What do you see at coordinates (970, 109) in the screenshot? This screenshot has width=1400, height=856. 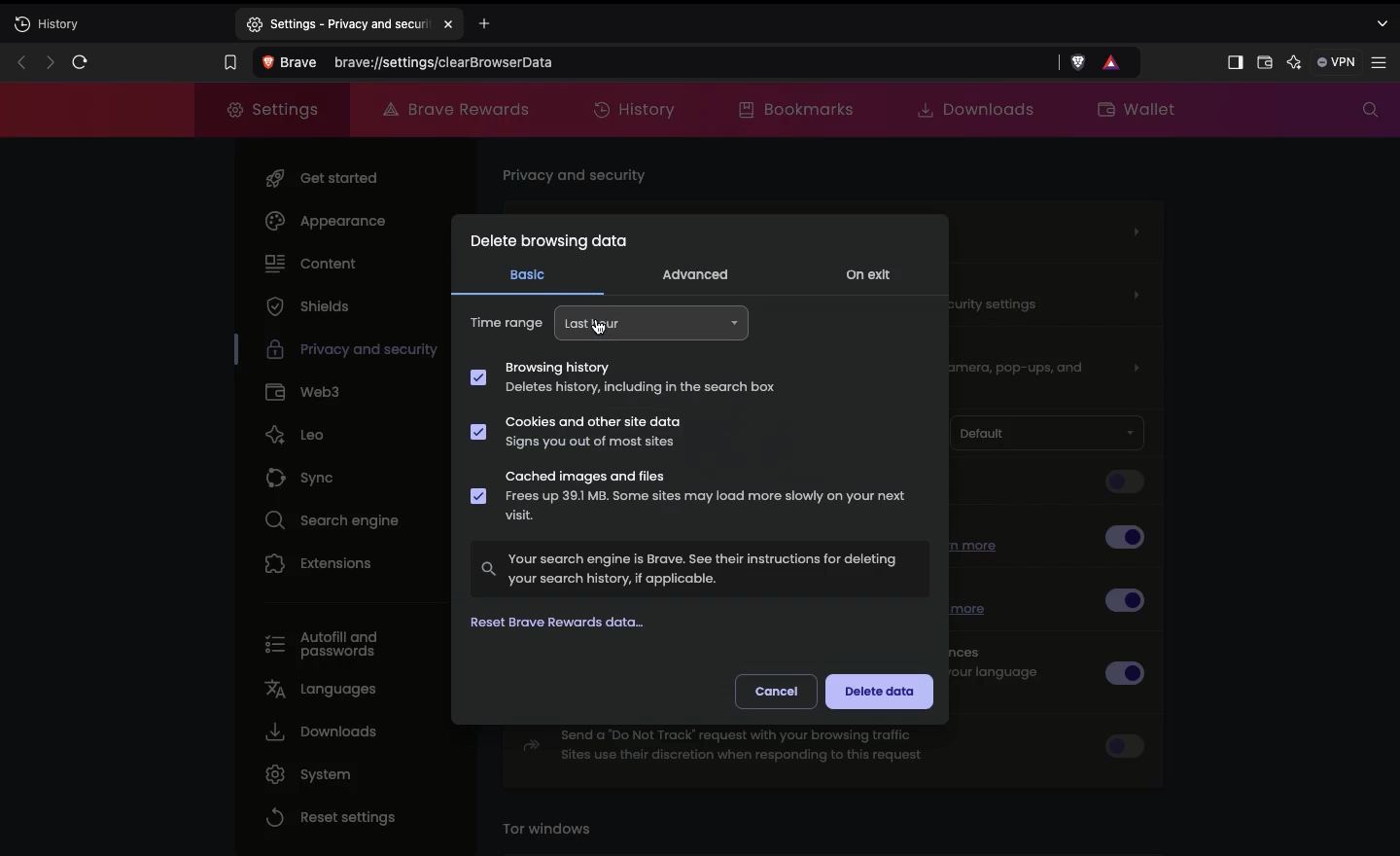 I see `Downloads` at bounding box center [970, 109].